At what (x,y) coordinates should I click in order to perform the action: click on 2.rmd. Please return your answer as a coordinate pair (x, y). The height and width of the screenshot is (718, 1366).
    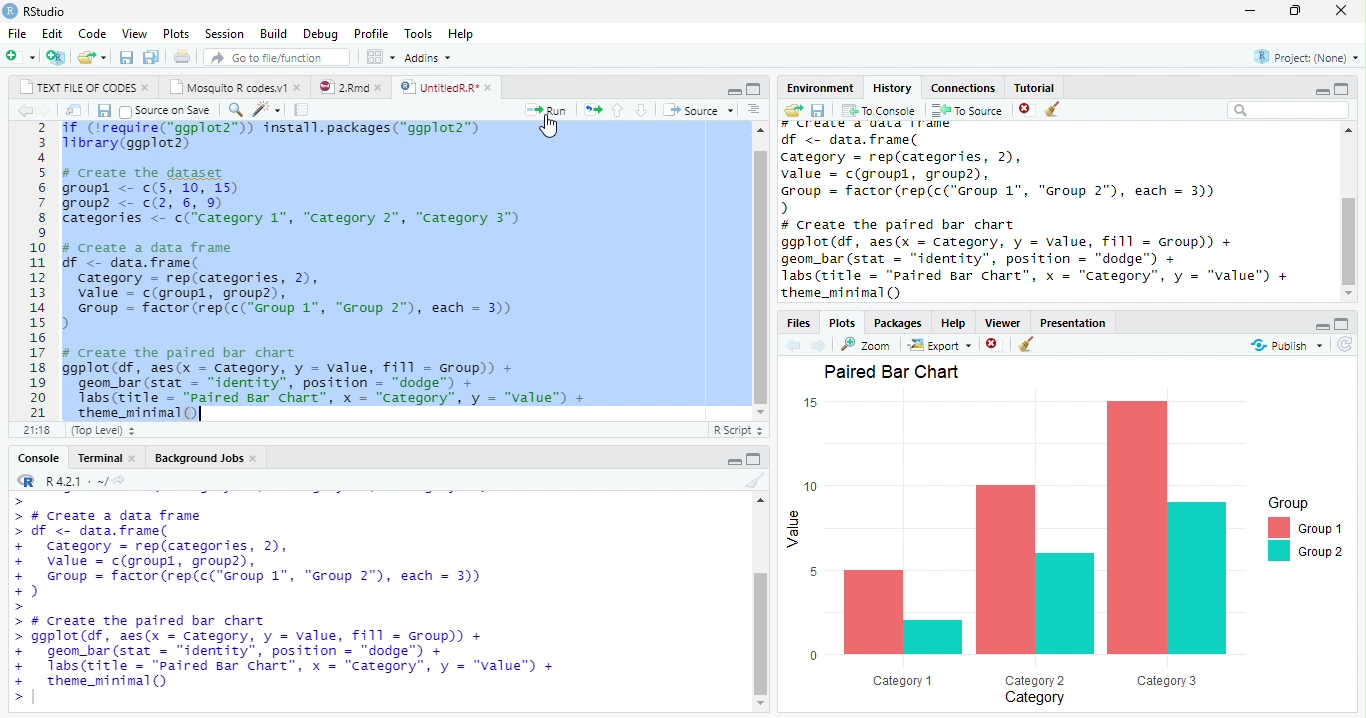
    Looking at the image, I should click on (344, 87).